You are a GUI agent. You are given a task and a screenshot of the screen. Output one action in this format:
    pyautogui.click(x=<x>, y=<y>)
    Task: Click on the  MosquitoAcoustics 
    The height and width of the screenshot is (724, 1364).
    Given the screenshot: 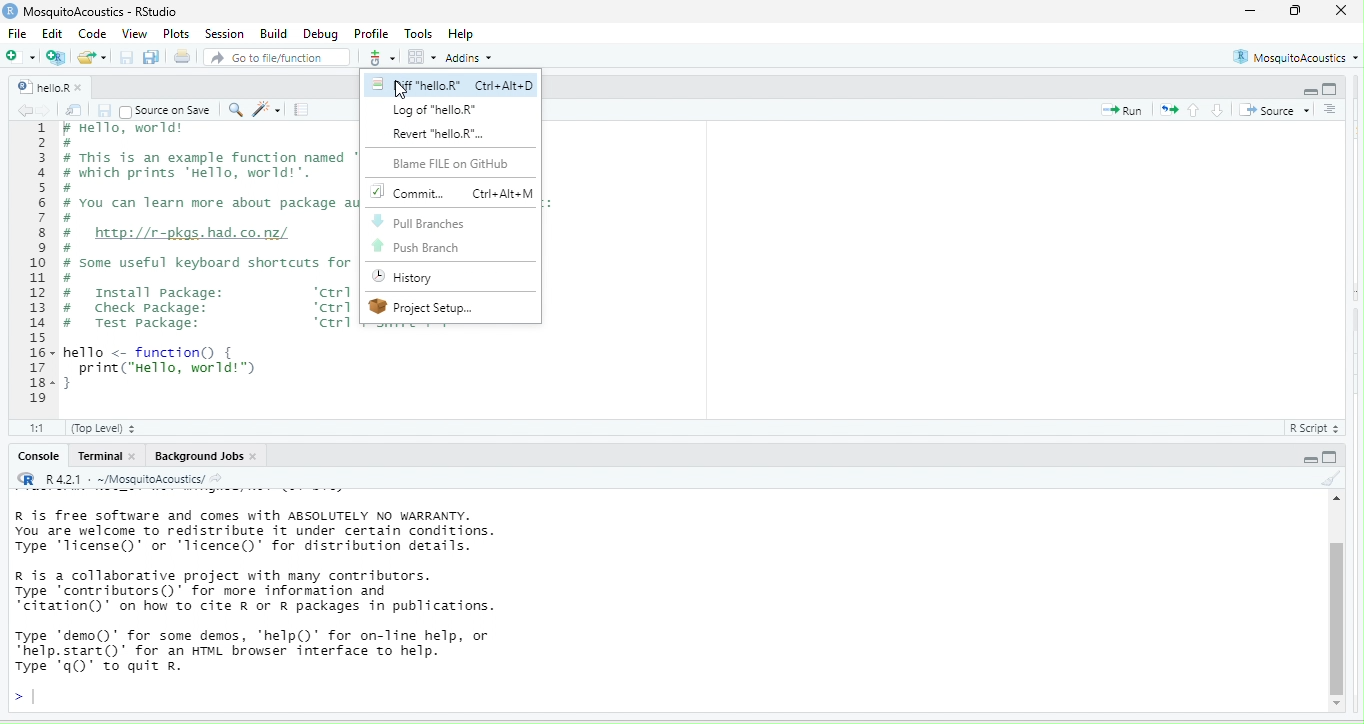 What is the action you would take?
    pyautogui.click(x=1298, y=54)
    